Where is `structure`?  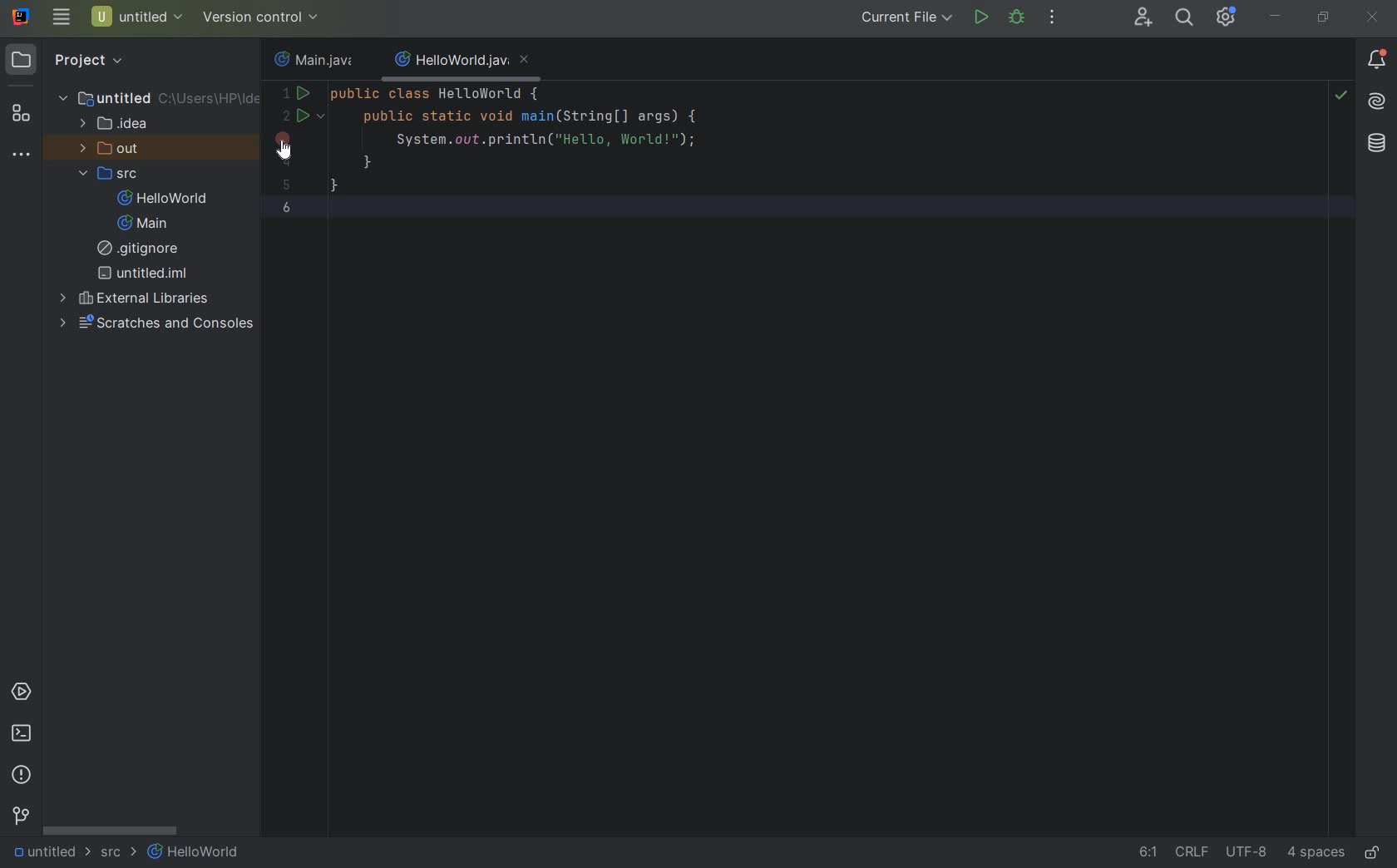 structure is located at coordinates (20, 116).